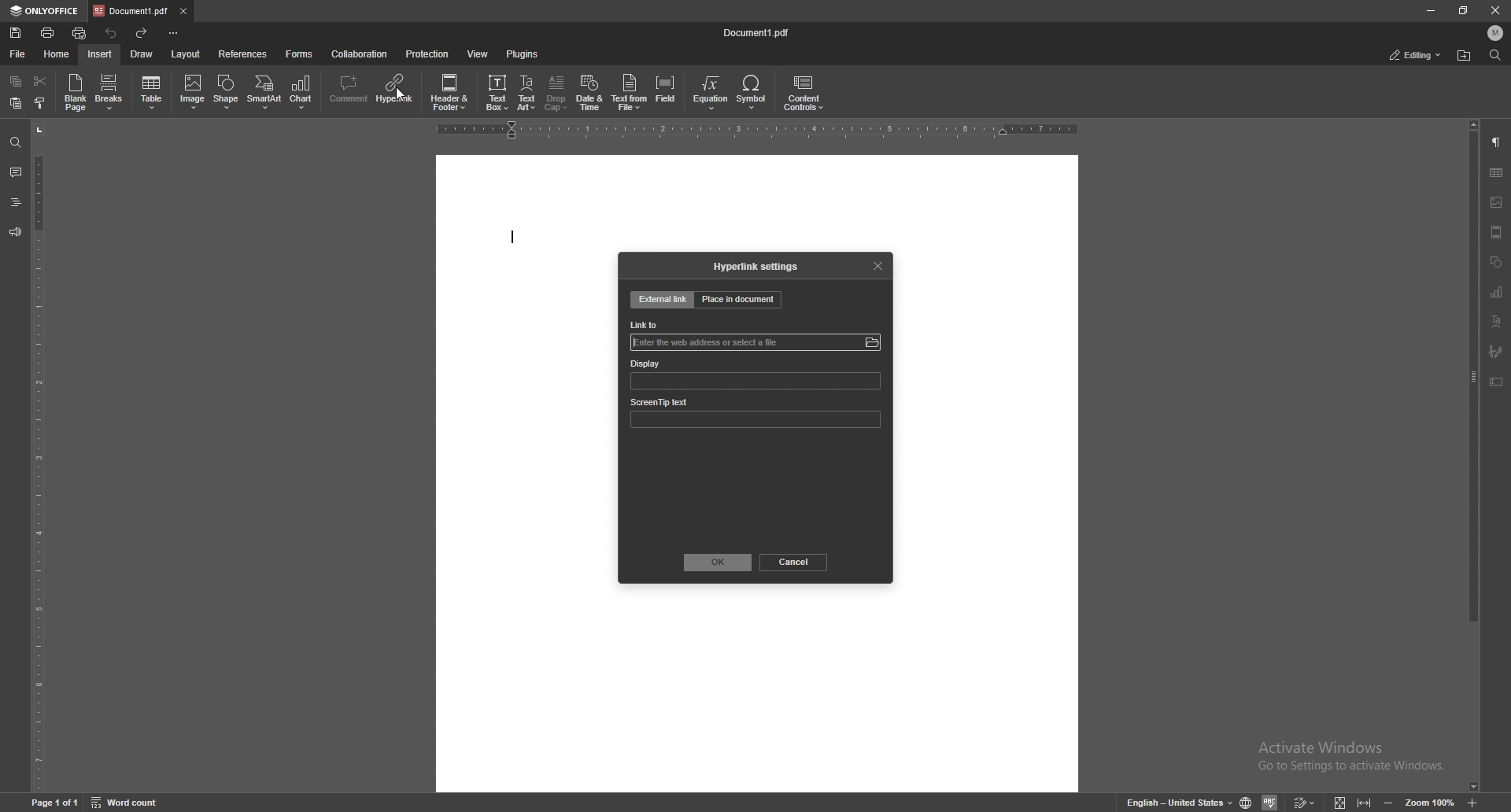 Image resolution: width=1511 pixels, height=812 pixels. Describe the element at coordinates (556, 93) in the screenshot. I see `drop cap` at that location.